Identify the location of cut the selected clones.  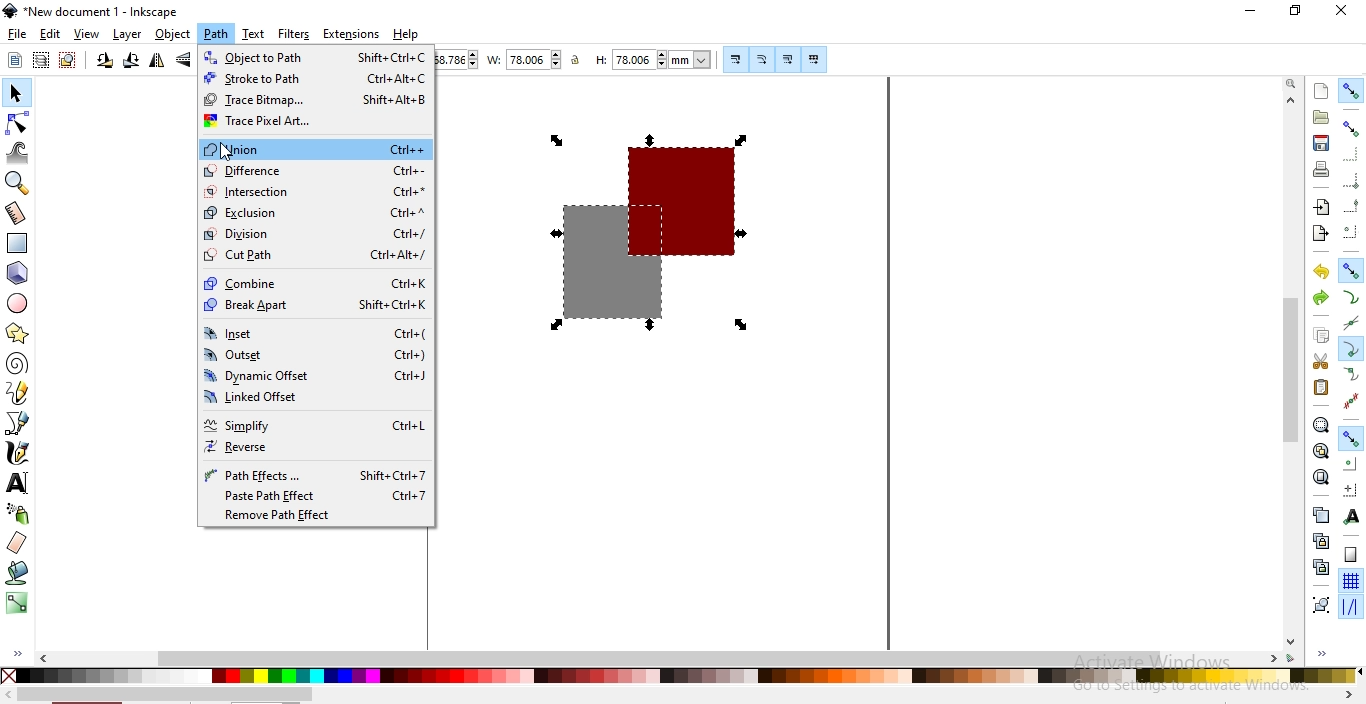
(1321, 566).